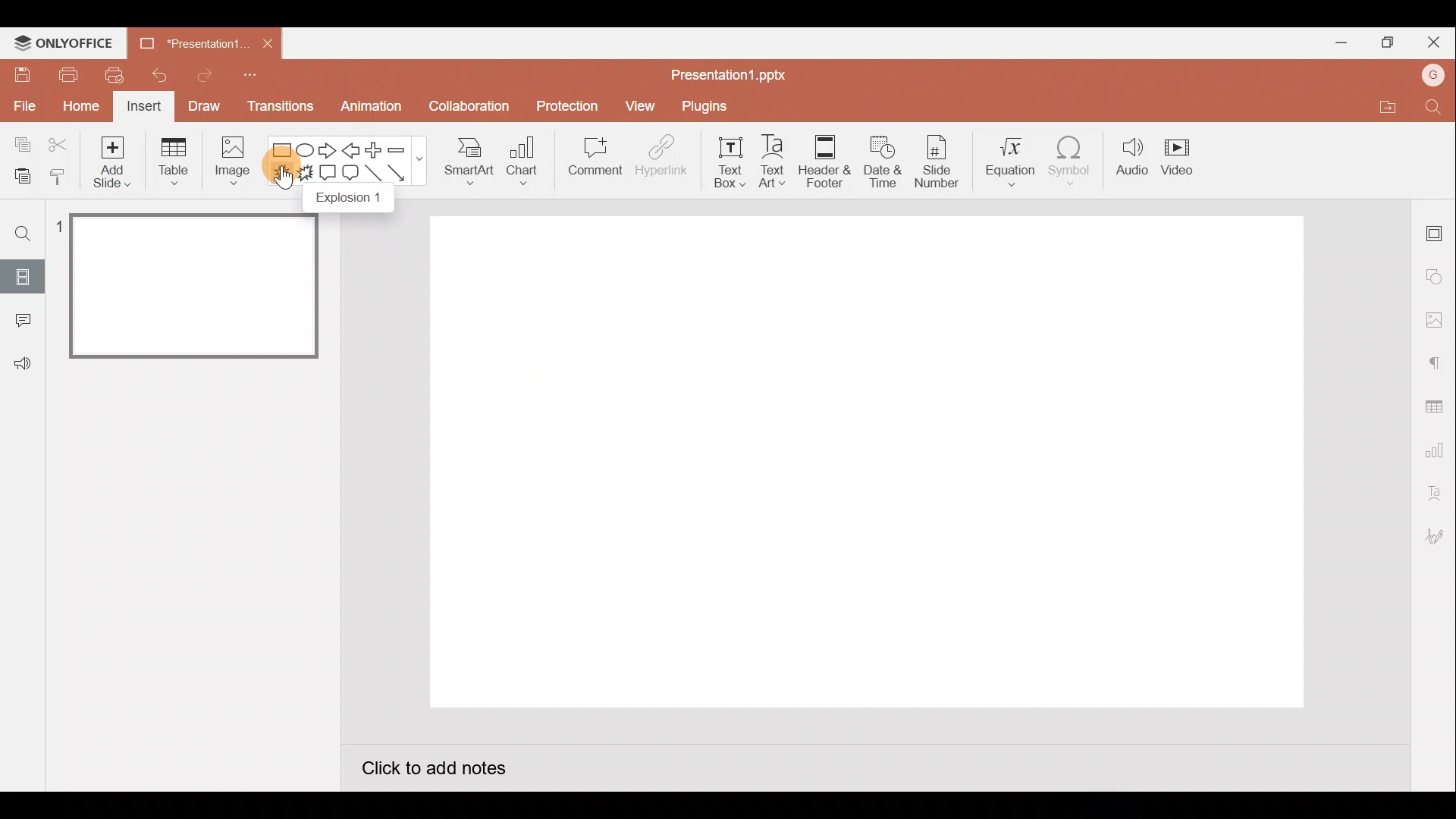 The width and height of the screenshot is (1456, 819). What do you see at coordinates (329, 175) in the screenshot?
I see `Rectangular callout` at bounding box center [329, 175].